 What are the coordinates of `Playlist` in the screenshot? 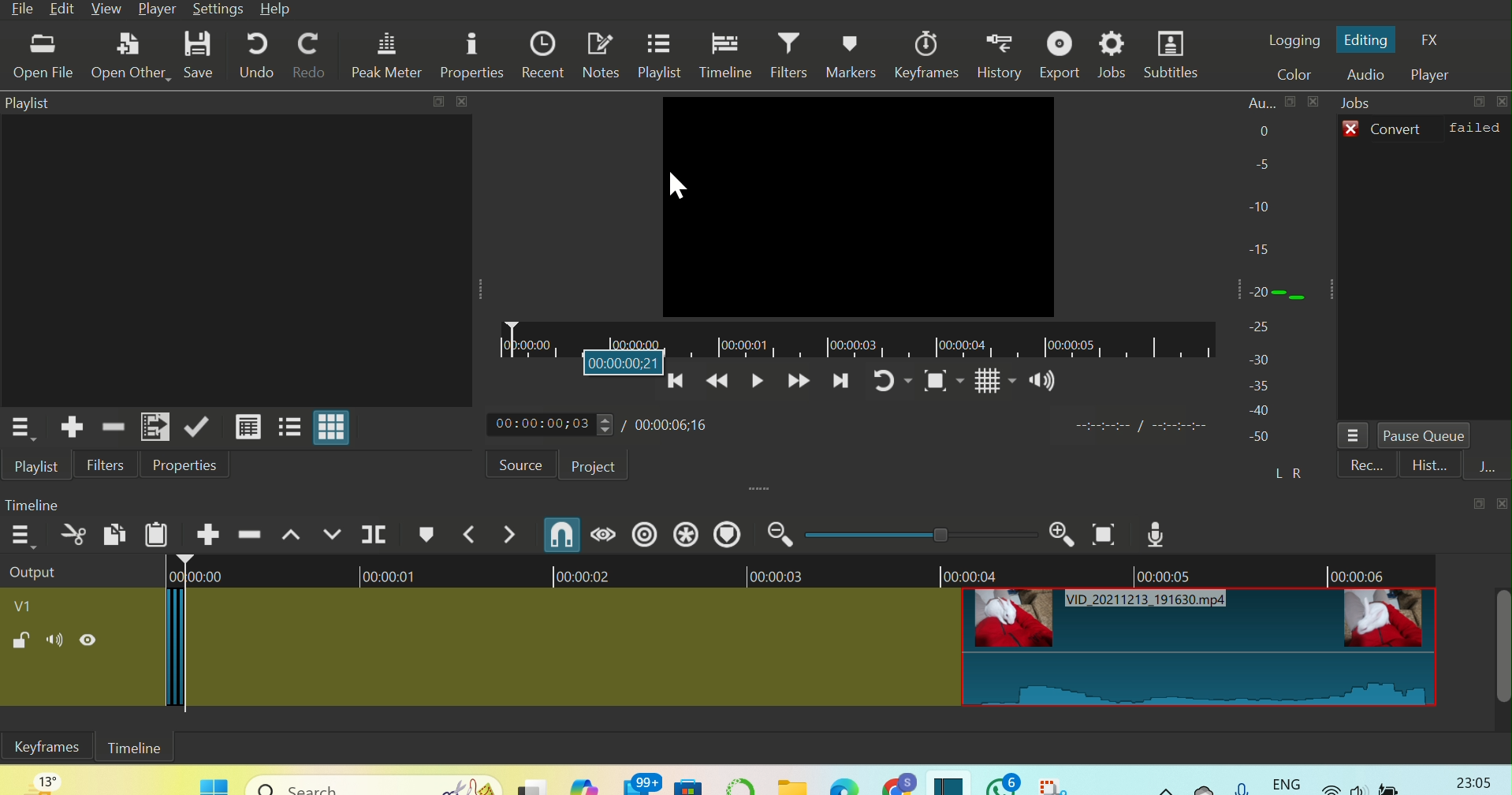 It's located at (39, 463).